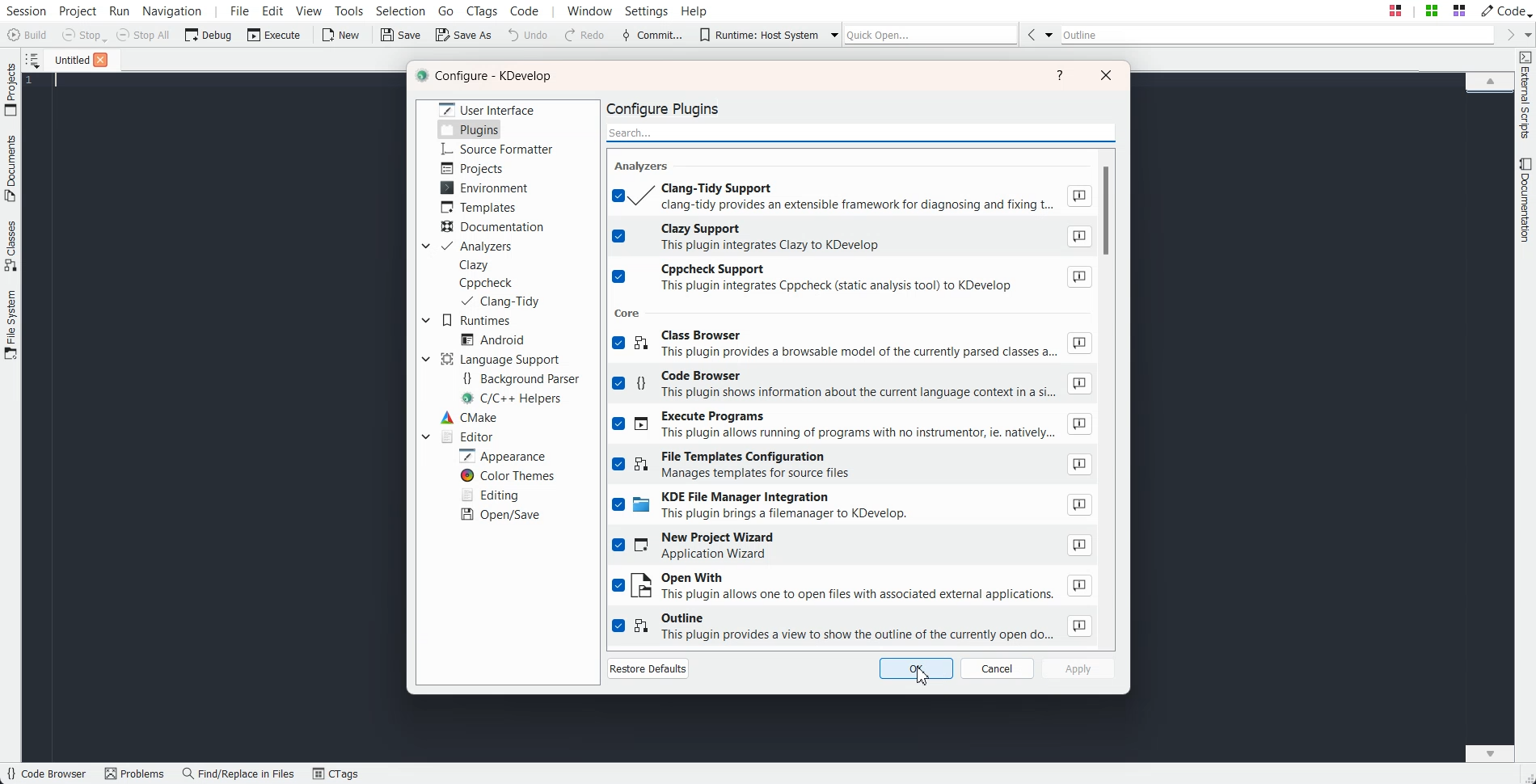  Describe the element at coordinates (474, 168) in the screenshot. I see `Projects` at that location.